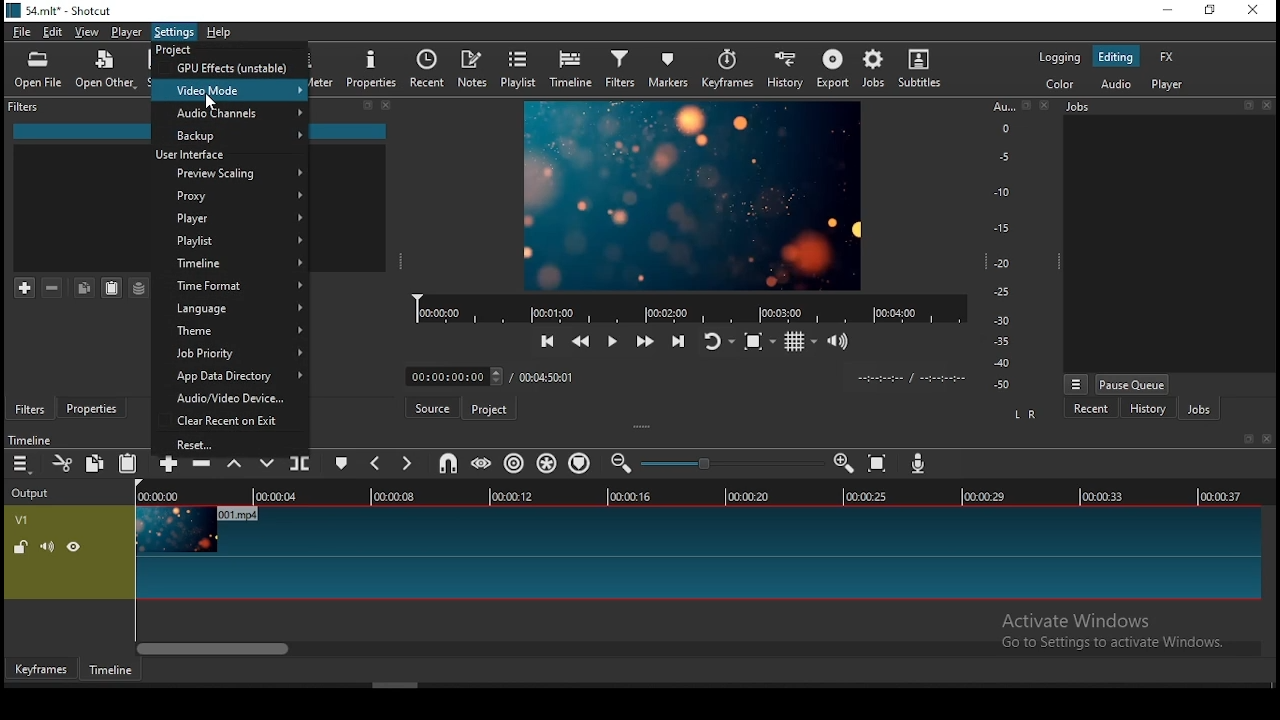  Describe the element at coordinates (846, 463) in the screenshot. I see `zoom timeline out` at that location.